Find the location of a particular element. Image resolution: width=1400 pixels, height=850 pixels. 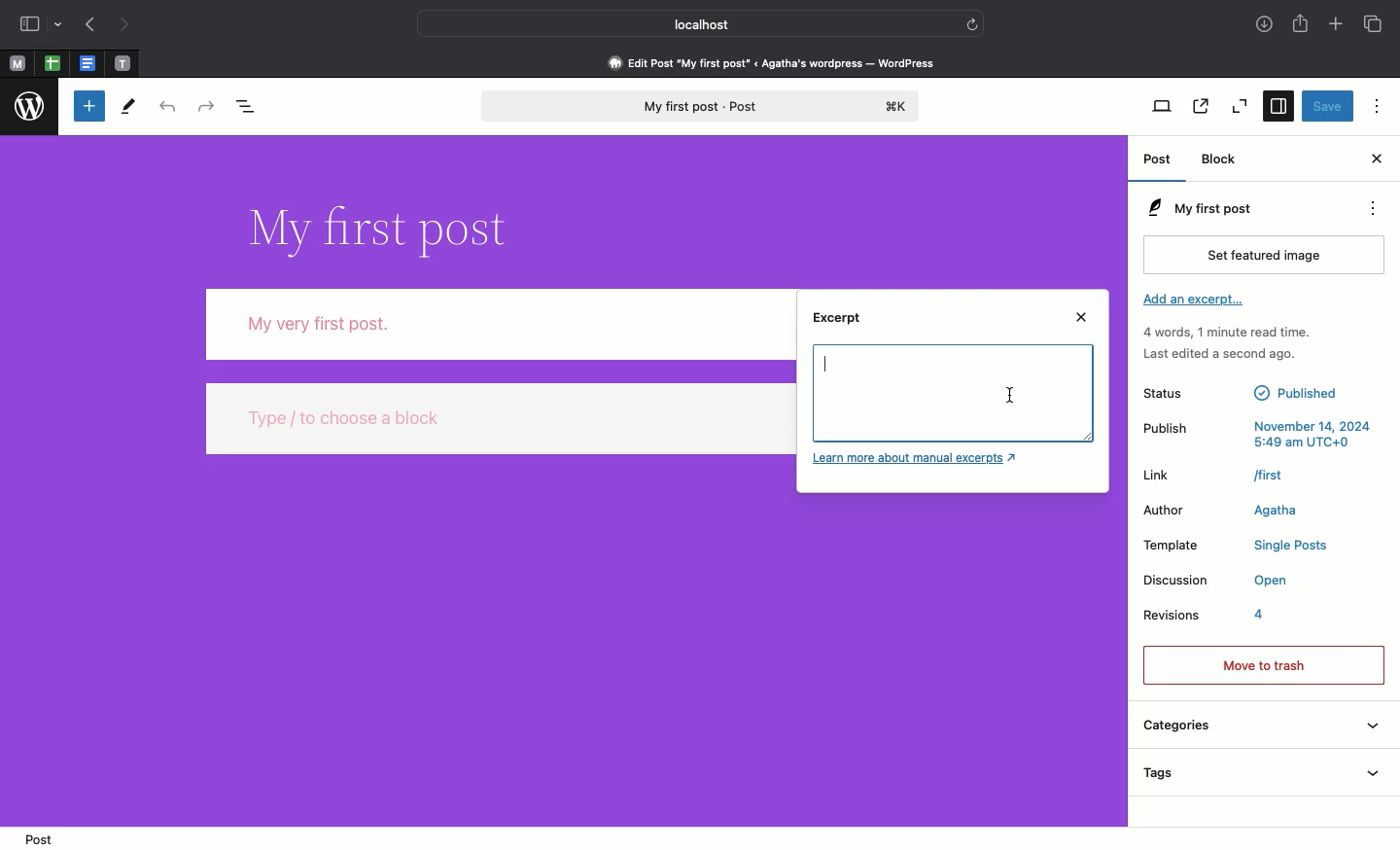

excel sheet is located at coordinates (51, 62).